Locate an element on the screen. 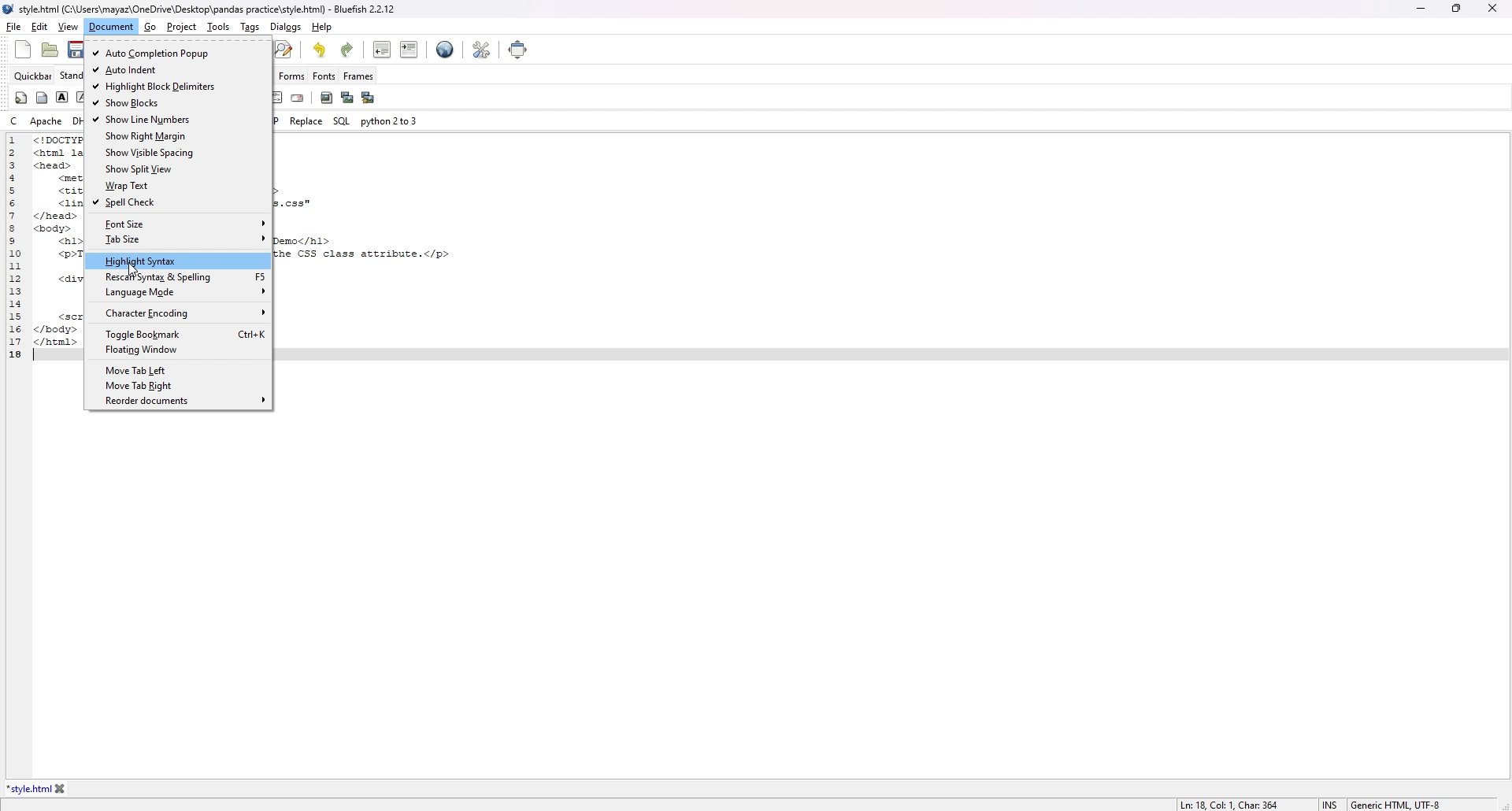  minimize is located at coordinates (1420, 9).